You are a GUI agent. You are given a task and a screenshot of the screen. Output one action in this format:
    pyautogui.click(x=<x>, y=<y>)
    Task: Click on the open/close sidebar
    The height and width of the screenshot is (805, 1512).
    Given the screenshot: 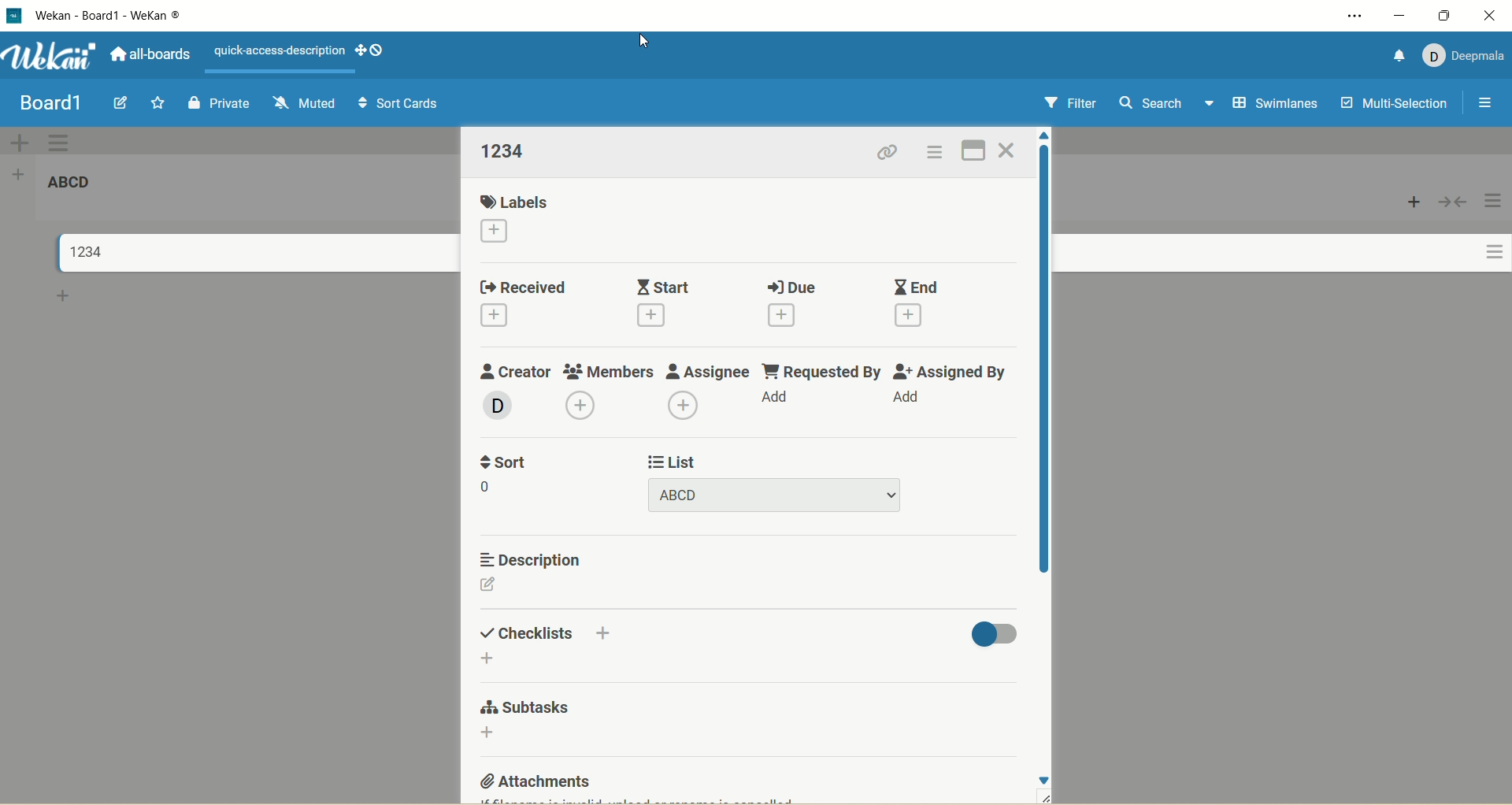 What is the action you would take?
    pyautogui.click(x=1484, y=103)
    